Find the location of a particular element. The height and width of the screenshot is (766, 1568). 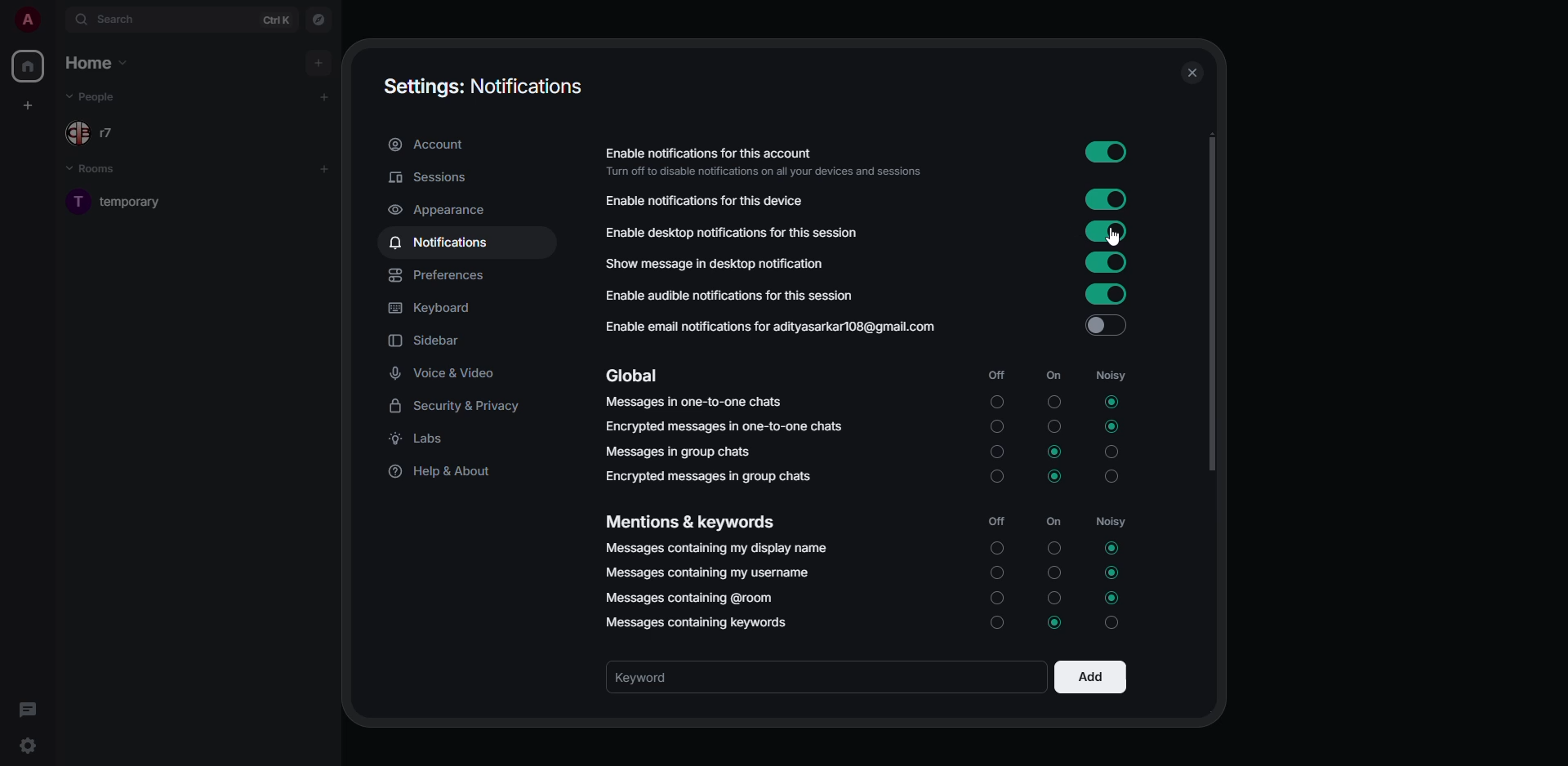

notifications is located at coordinates (442, 241).